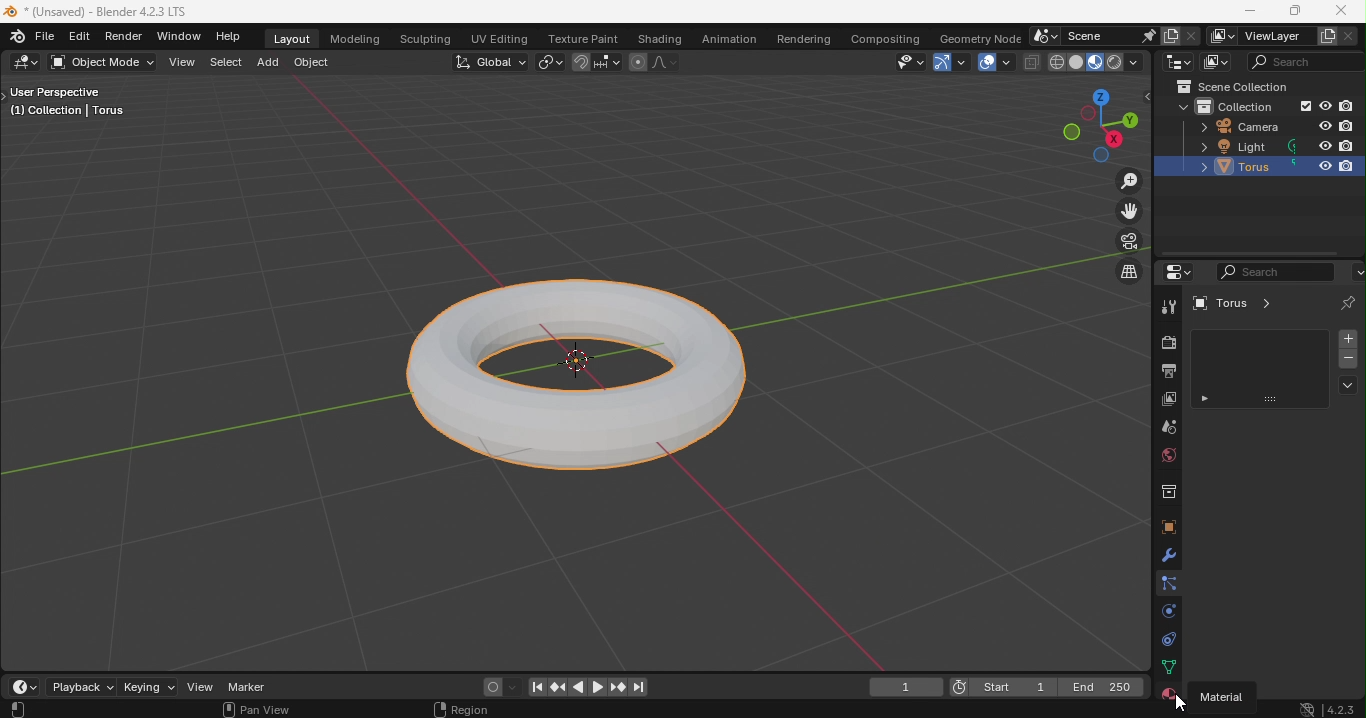 This screenshot has width=1366, height=718. Describe the element at coordinates (1344, 106) in the screenshot. I see `Disable in renders` at that location.